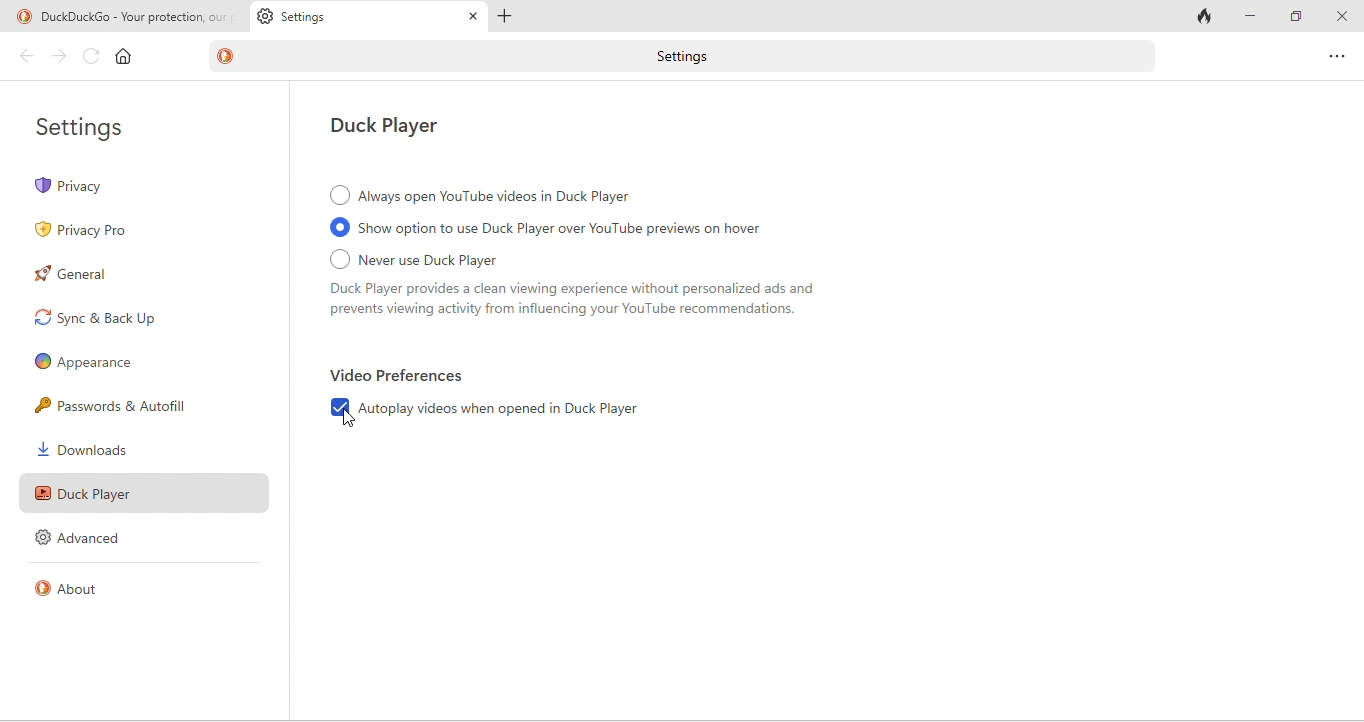 Image resolution: width=1364 pixels, height=722 pixels. Describe the element at coordinates (579, 229) in the screenshot. I see `show option to use duck player` at that location.